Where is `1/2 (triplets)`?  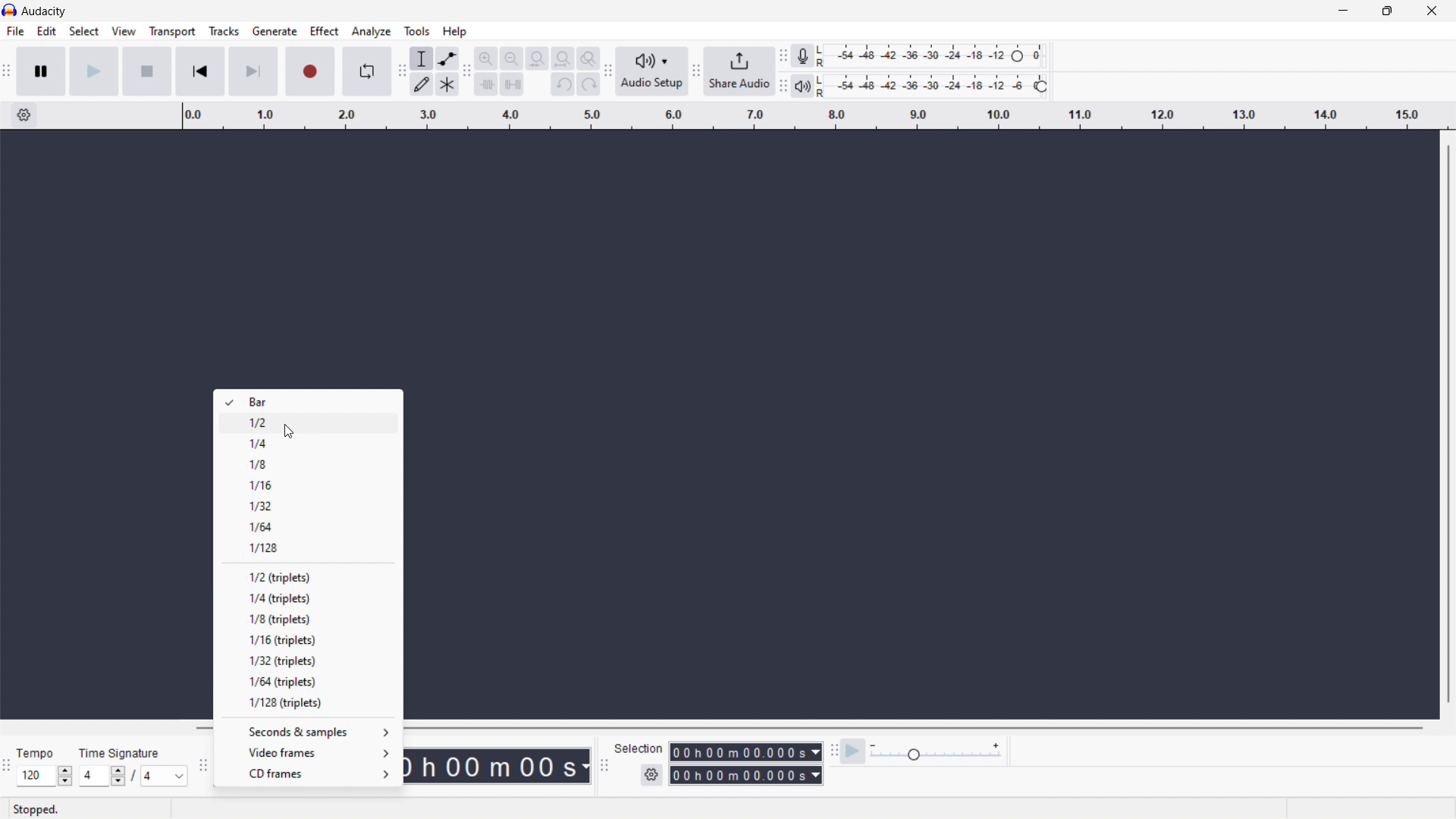
1/2 (triplets) is located at coordinates (307, 576).